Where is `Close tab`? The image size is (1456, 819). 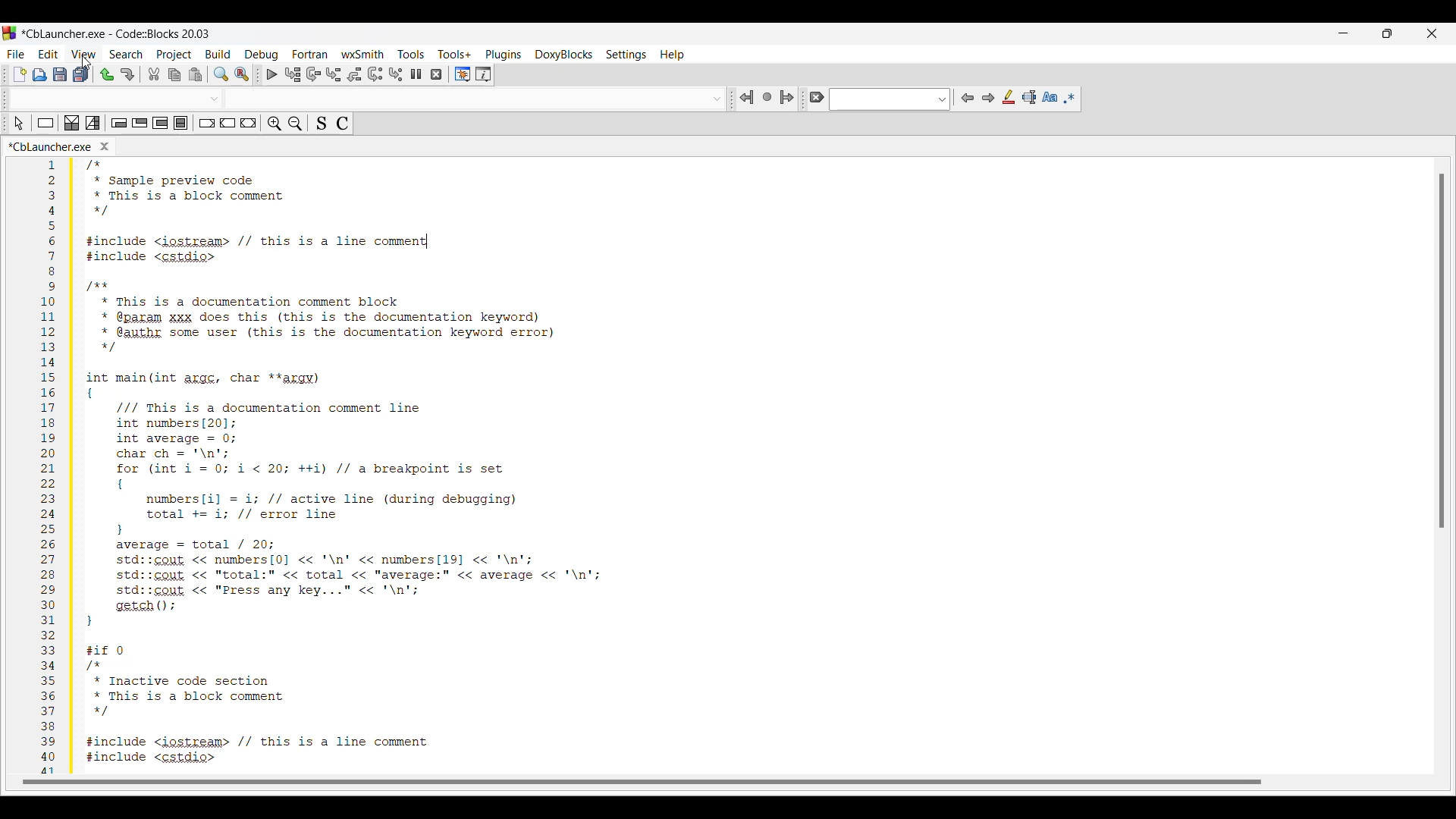 Close tab is located at coordinates (104, 146).